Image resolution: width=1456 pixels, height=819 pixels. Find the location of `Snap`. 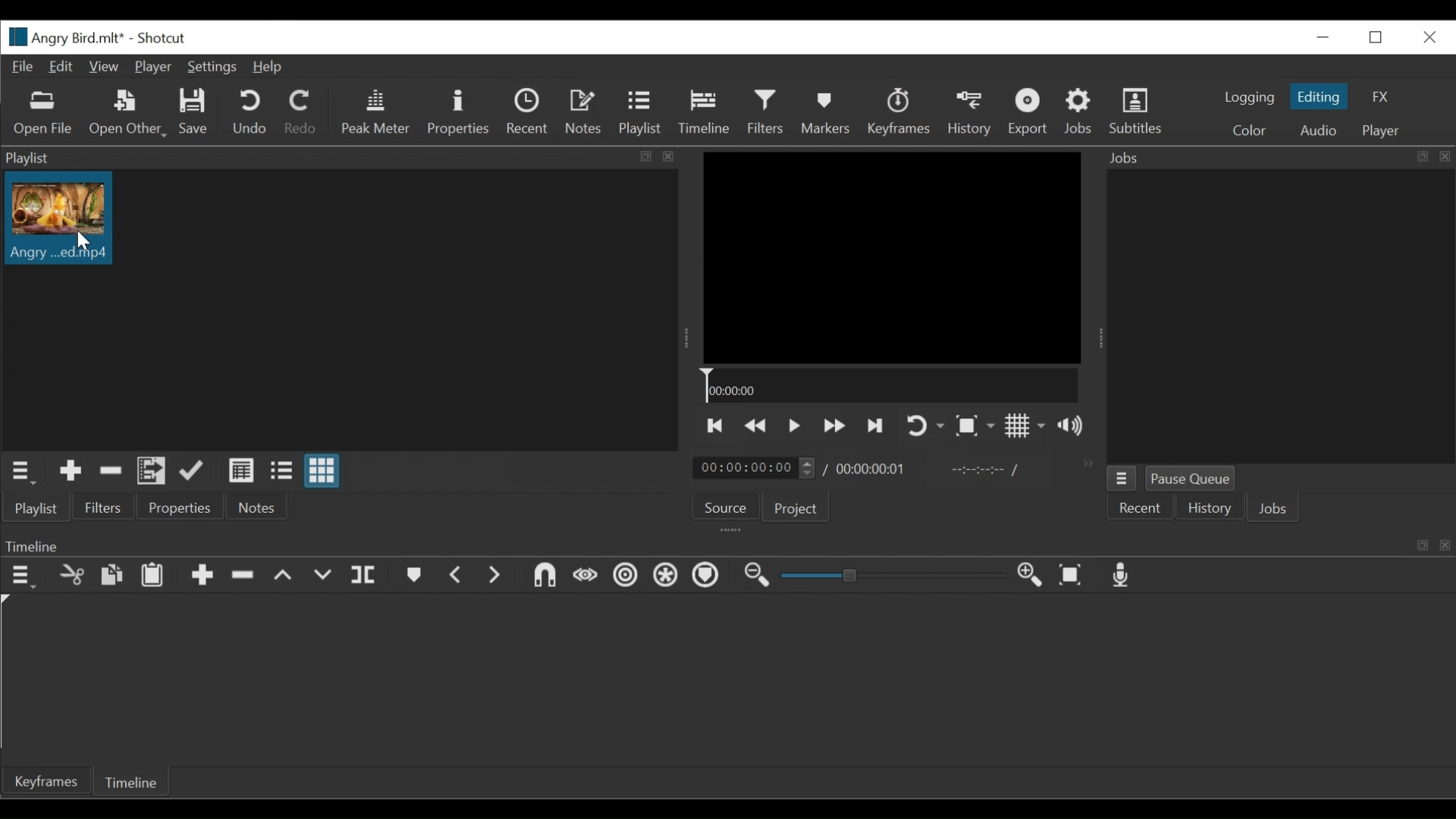

Snap is located at coordinates (543, 575).